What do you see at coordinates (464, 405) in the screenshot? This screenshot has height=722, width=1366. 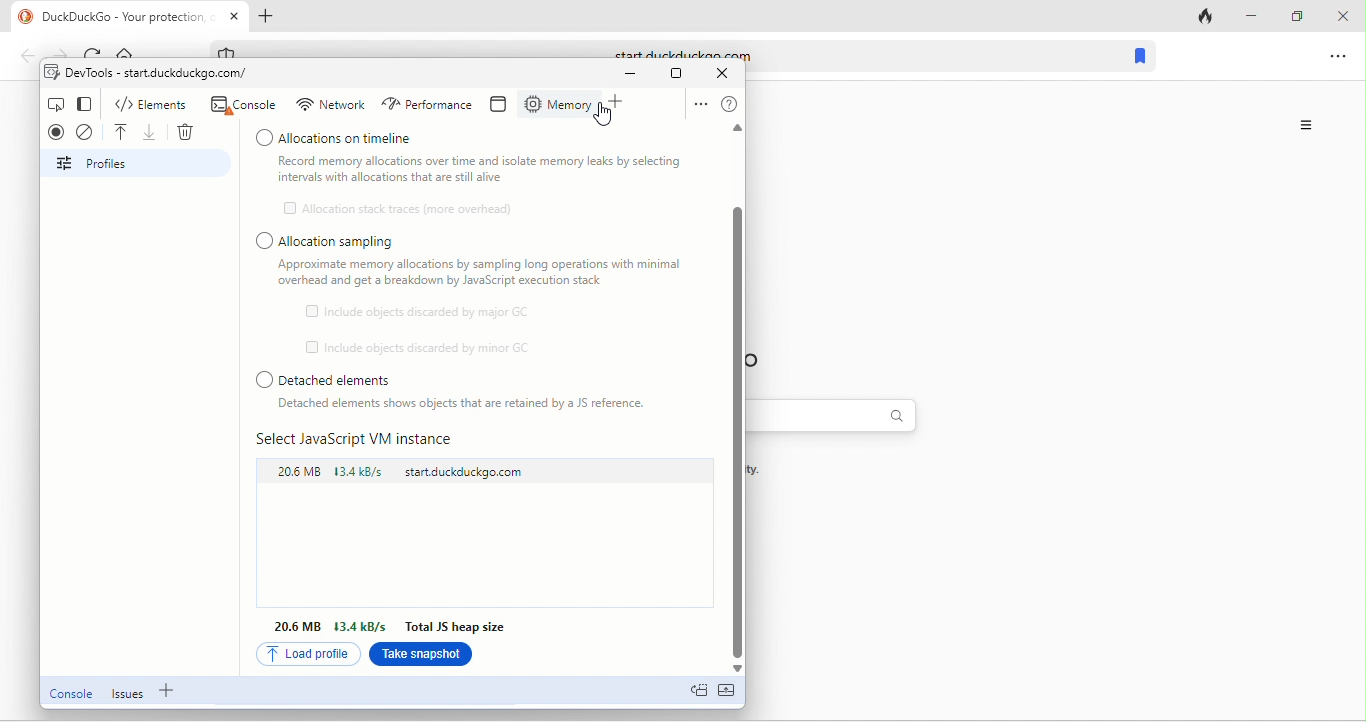 I see `detached elements shows objects that are retained by a js reference` at bounding box center [464, 405].